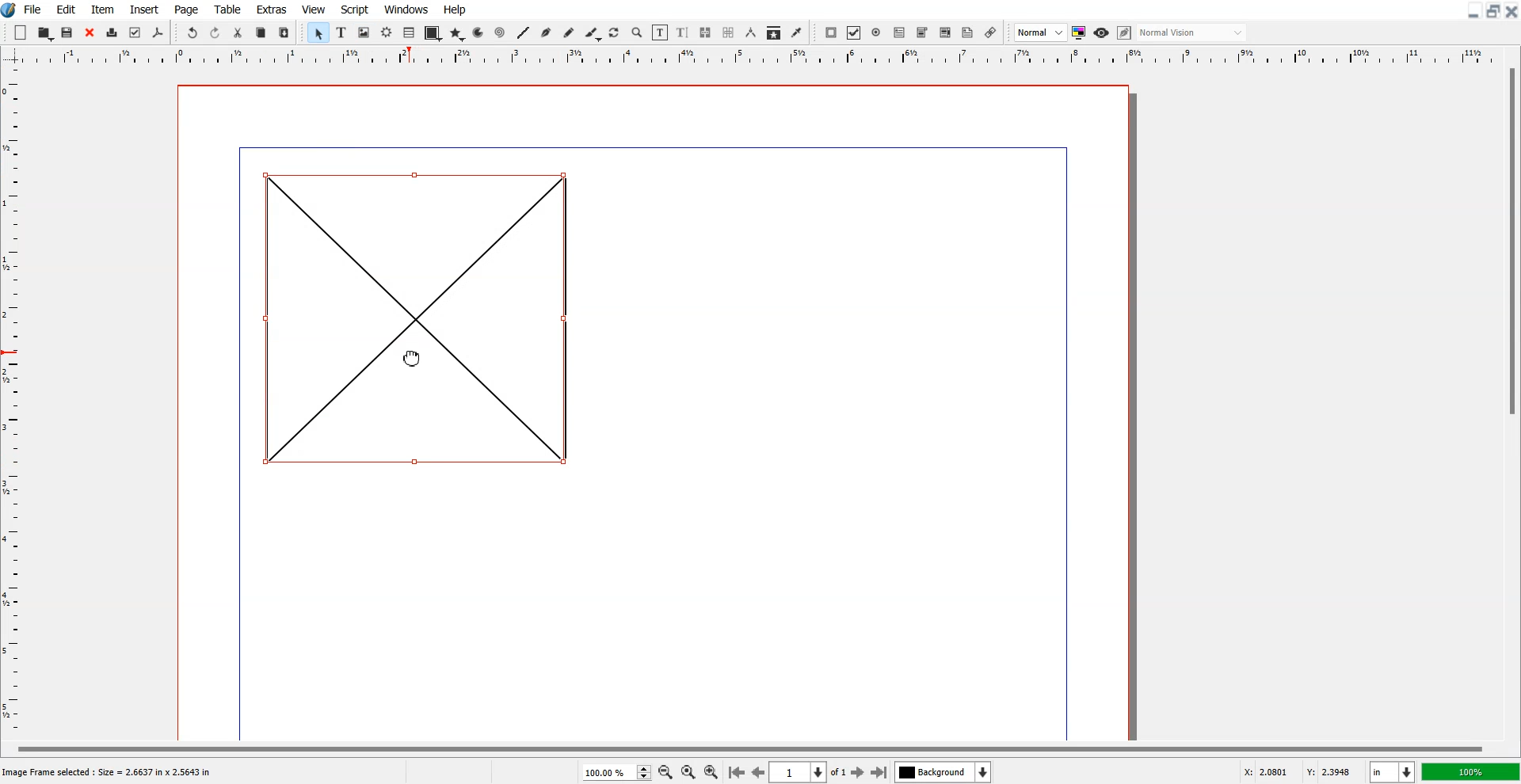 This screenshot has width=1521, height=784. What do you see at coordinates (143, 9) in the screenshot?
I see `Insert` at bounding box center [143, 9].